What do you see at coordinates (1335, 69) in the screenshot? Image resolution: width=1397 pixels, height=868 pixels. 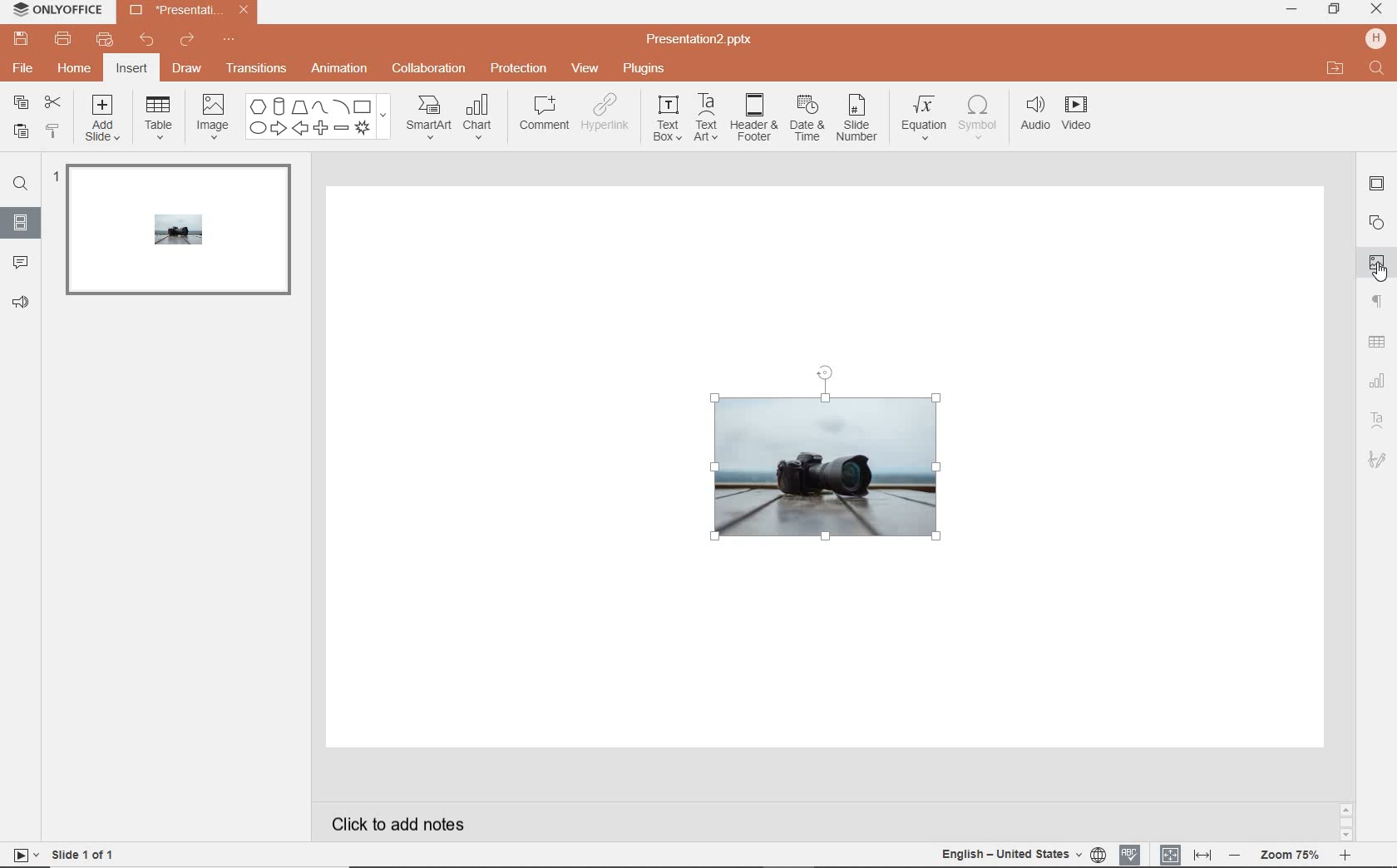 I see `open file location` at bounding box center [1335, 69].